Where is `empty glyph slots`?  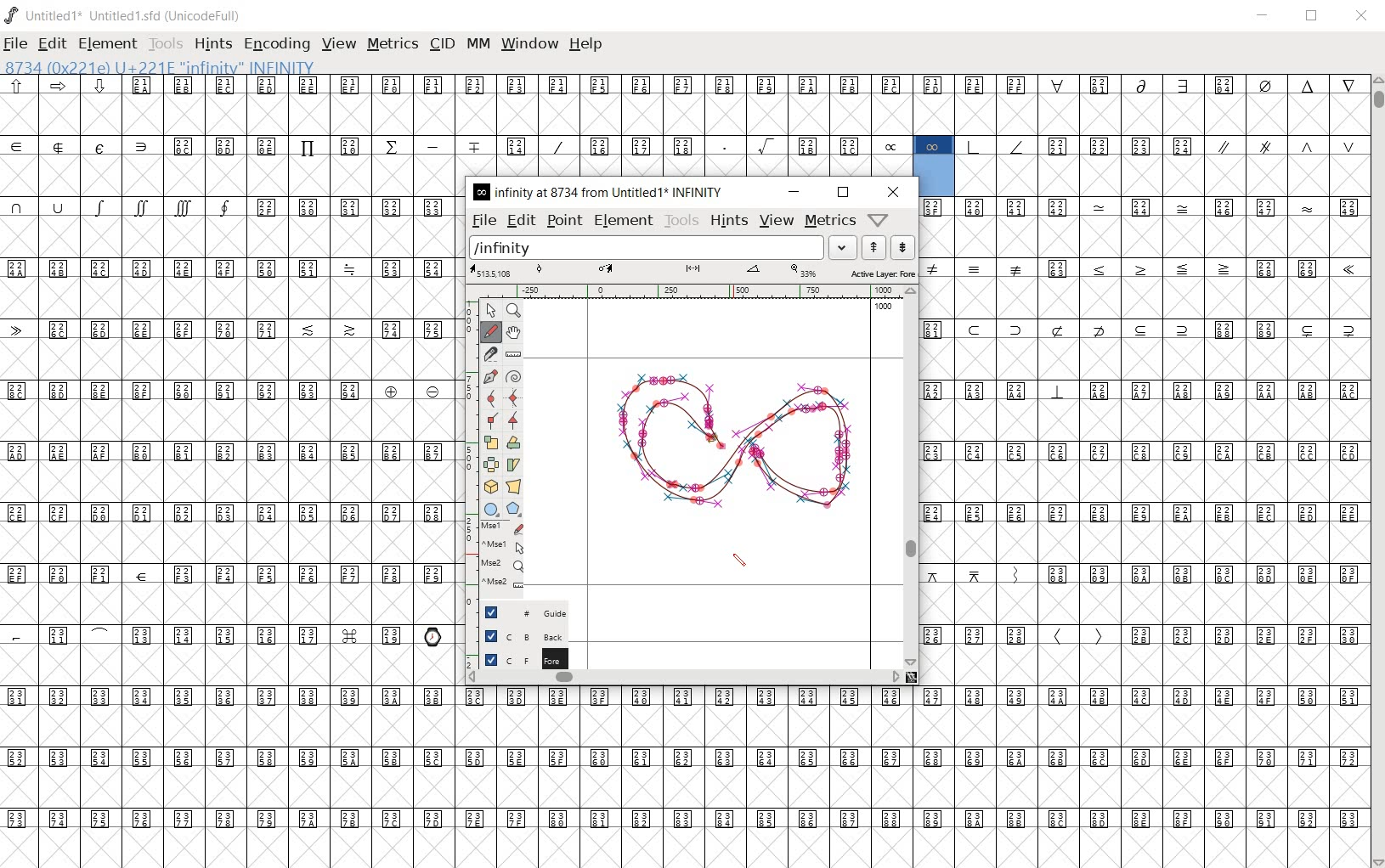
empty glyph slots is located at coordinates (229, 298).